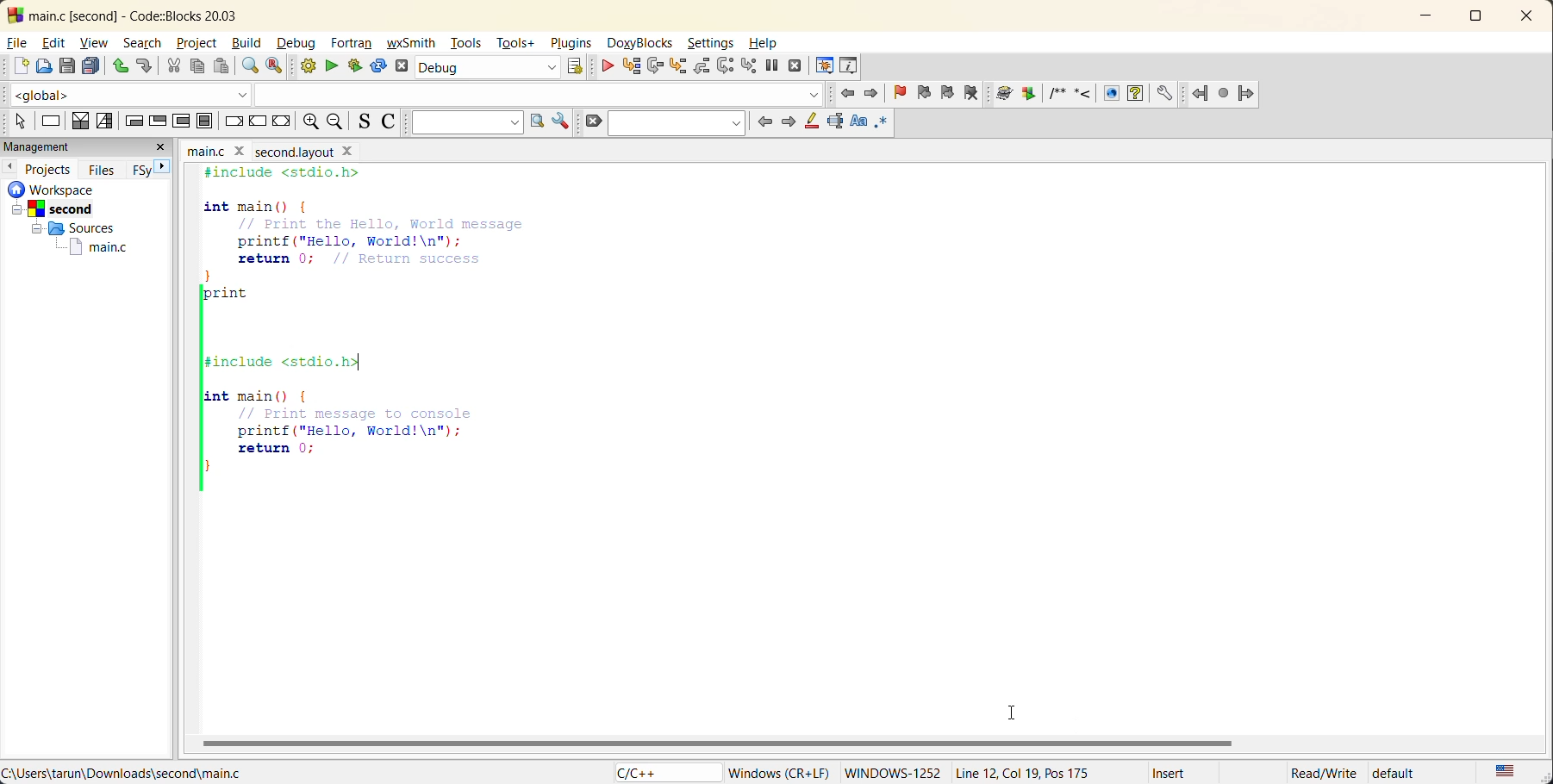  Describe the element at coordinates (164, 167) in the screenshot. I see `next` at that location.